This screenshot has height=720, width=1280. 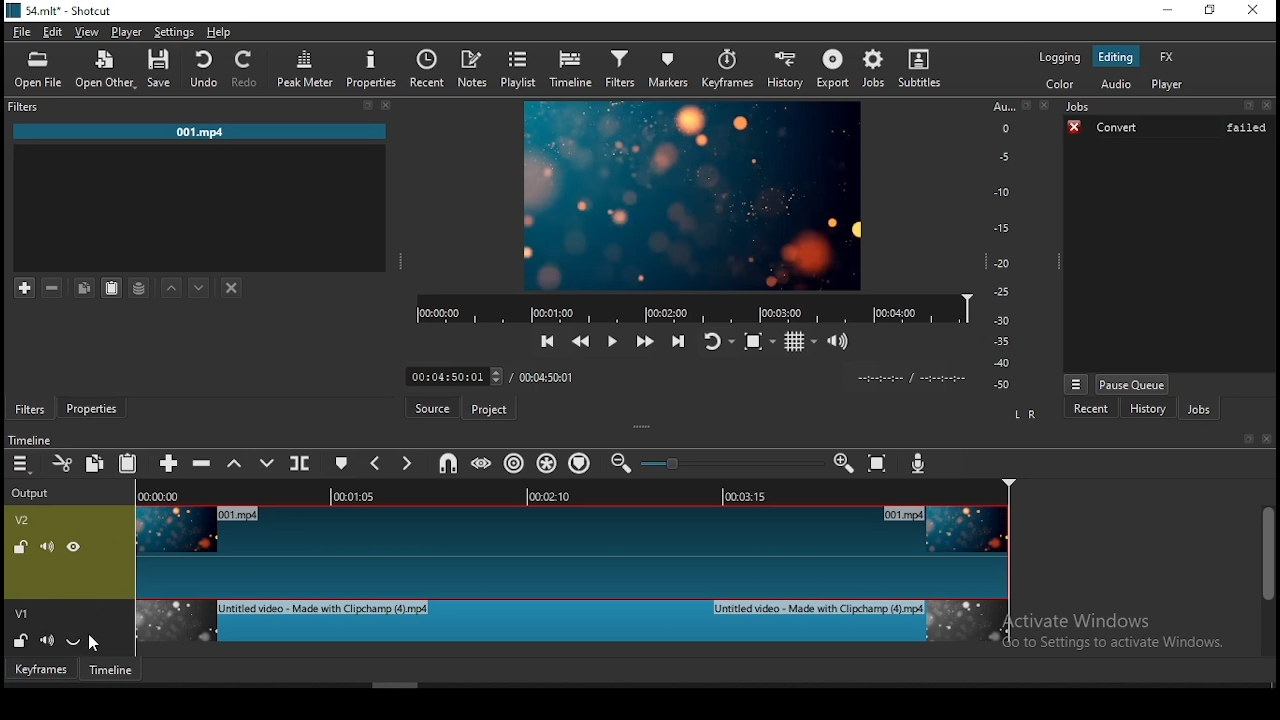 What do you see at coordinates (166, 464) in the screenshot?
I see `append` at bounding box center [166, 464].